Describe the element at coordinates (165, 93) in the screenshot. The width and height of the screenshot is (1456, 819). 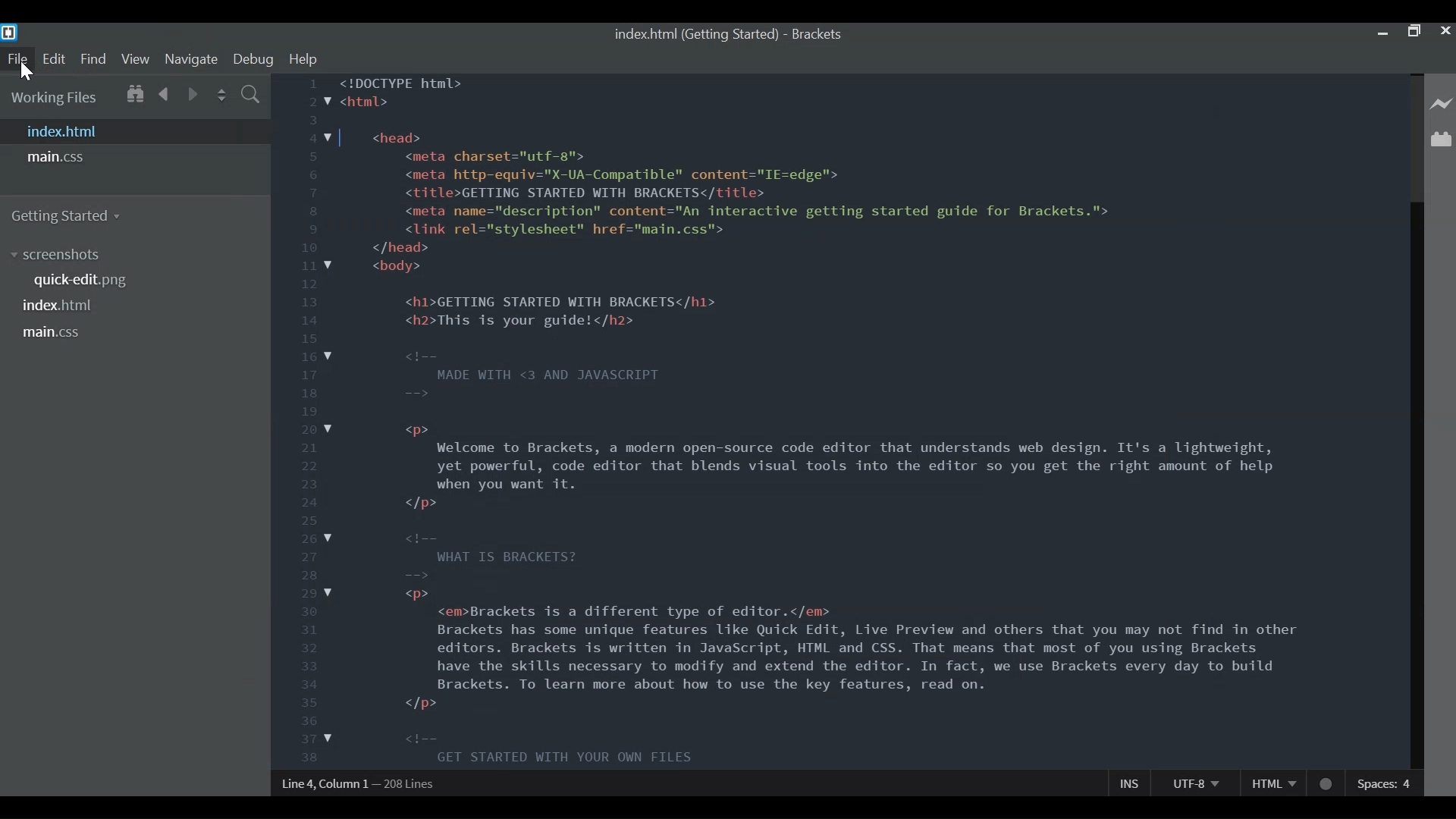
I see `Navigate Backwards` at that location.